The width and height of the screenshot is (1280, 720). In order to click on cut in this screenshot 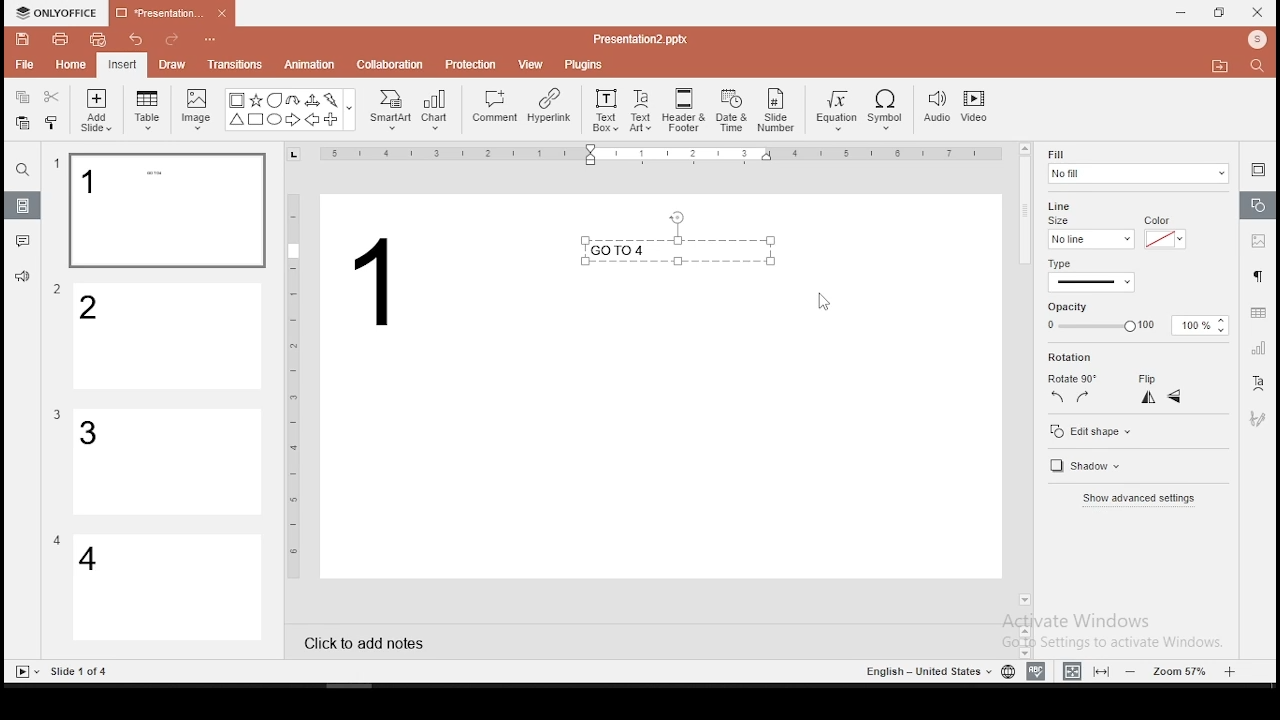, I will do `click(52, 96)`.